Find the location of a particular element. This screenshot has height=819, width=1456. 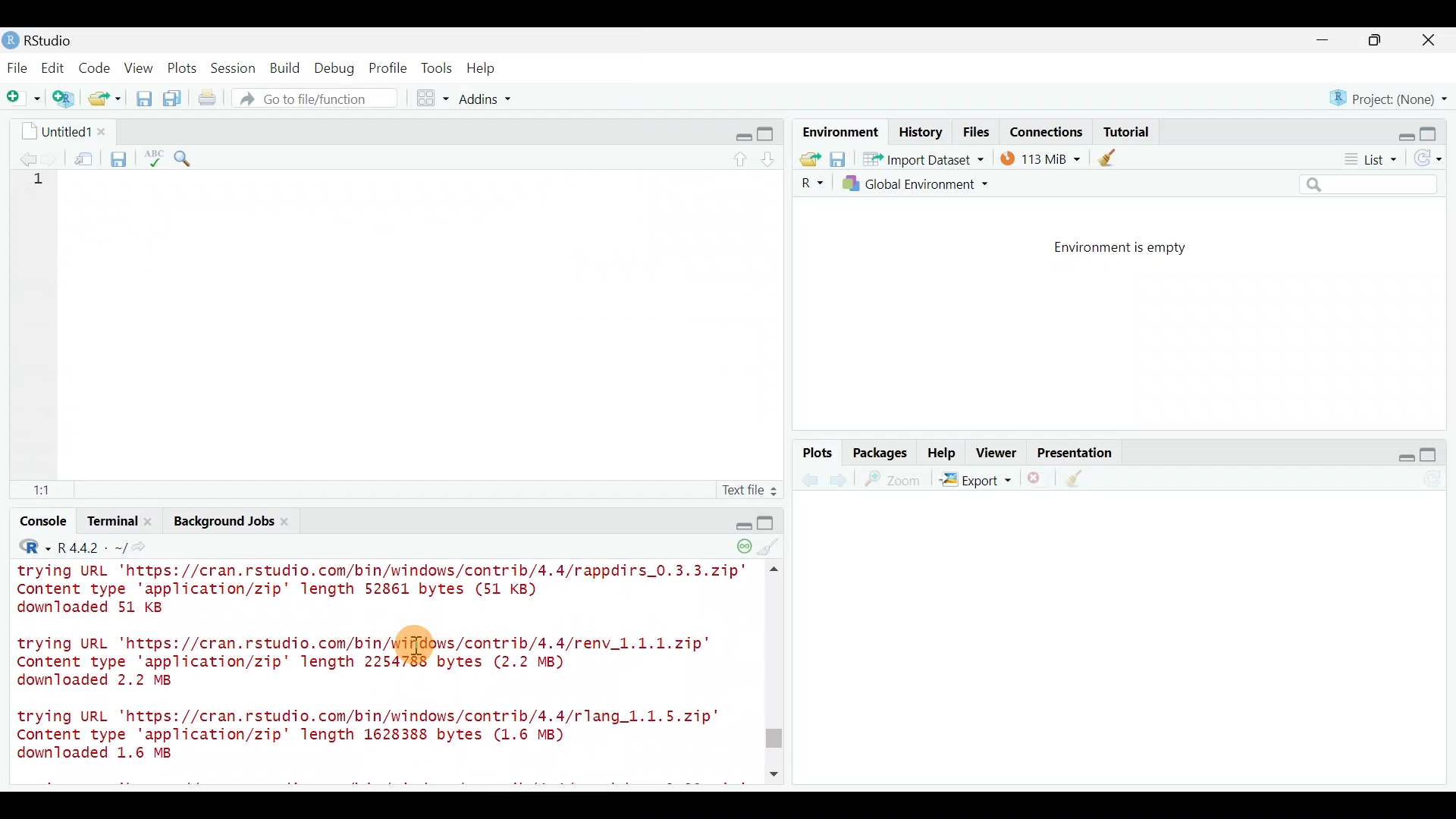

find/replace is located at coordinates (184, 155).